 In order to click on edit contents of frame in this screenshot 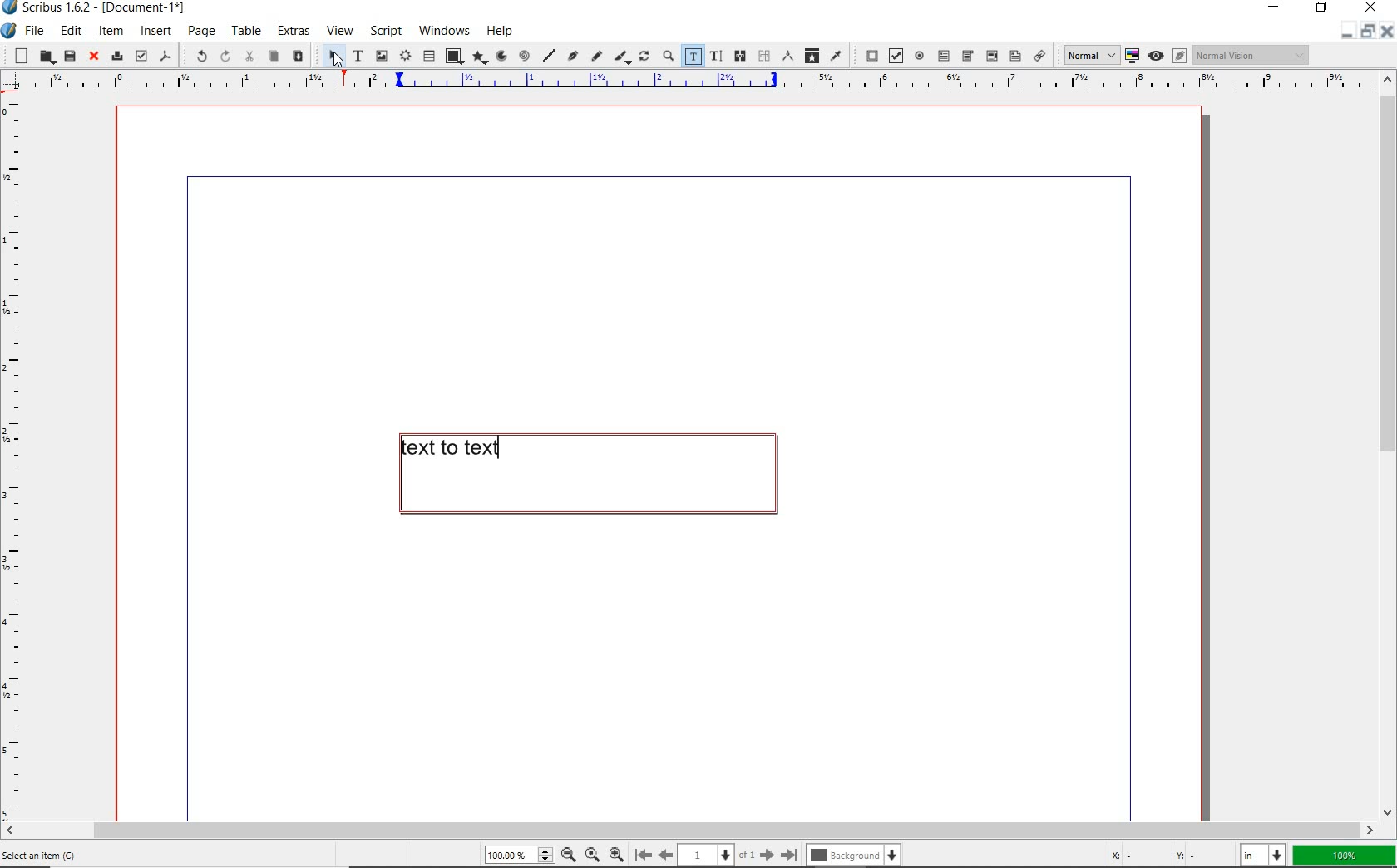, I will do `click(693, 57)`.